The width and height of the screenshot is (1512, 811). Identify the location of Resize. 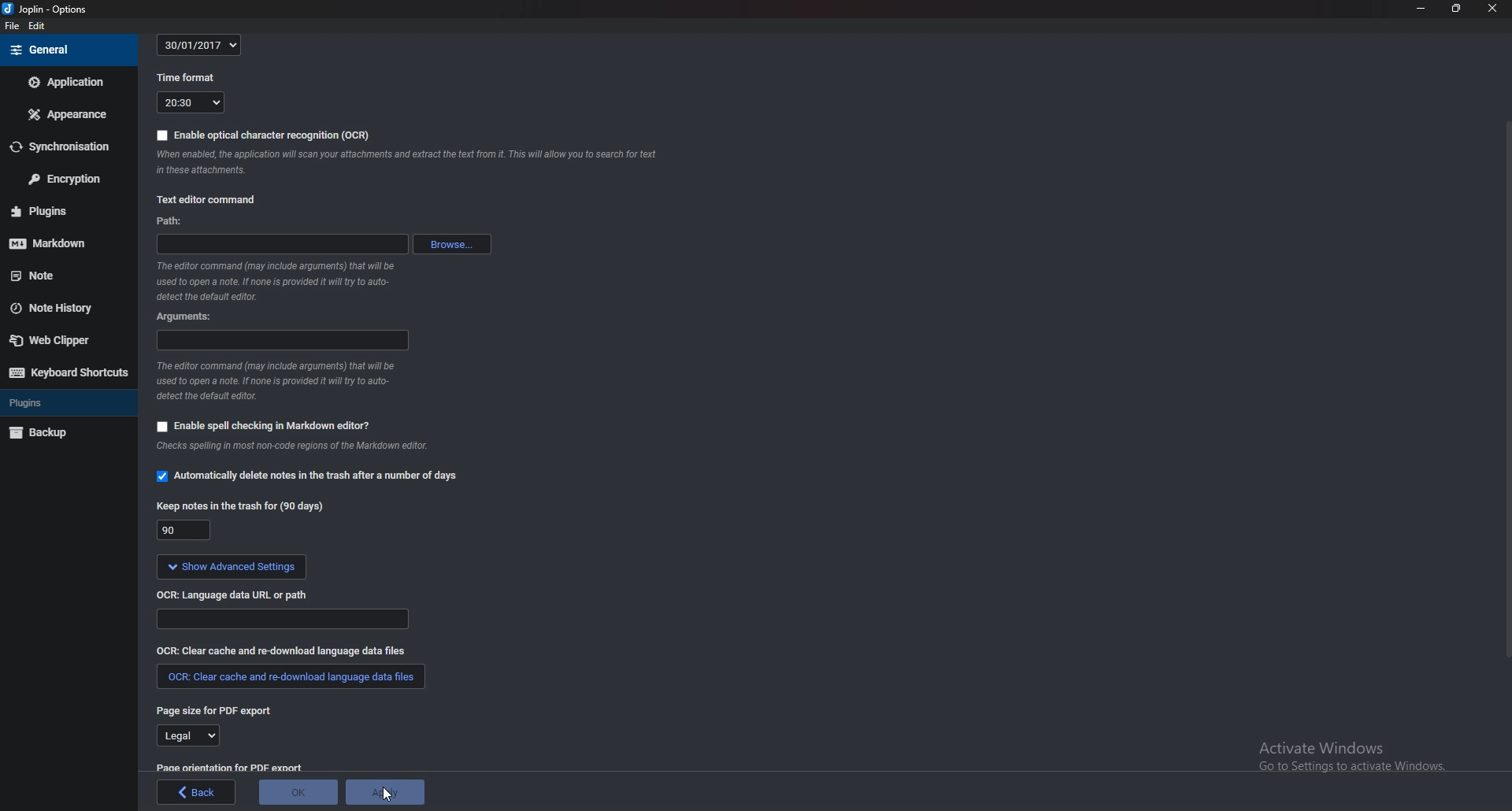
(1457, 8).